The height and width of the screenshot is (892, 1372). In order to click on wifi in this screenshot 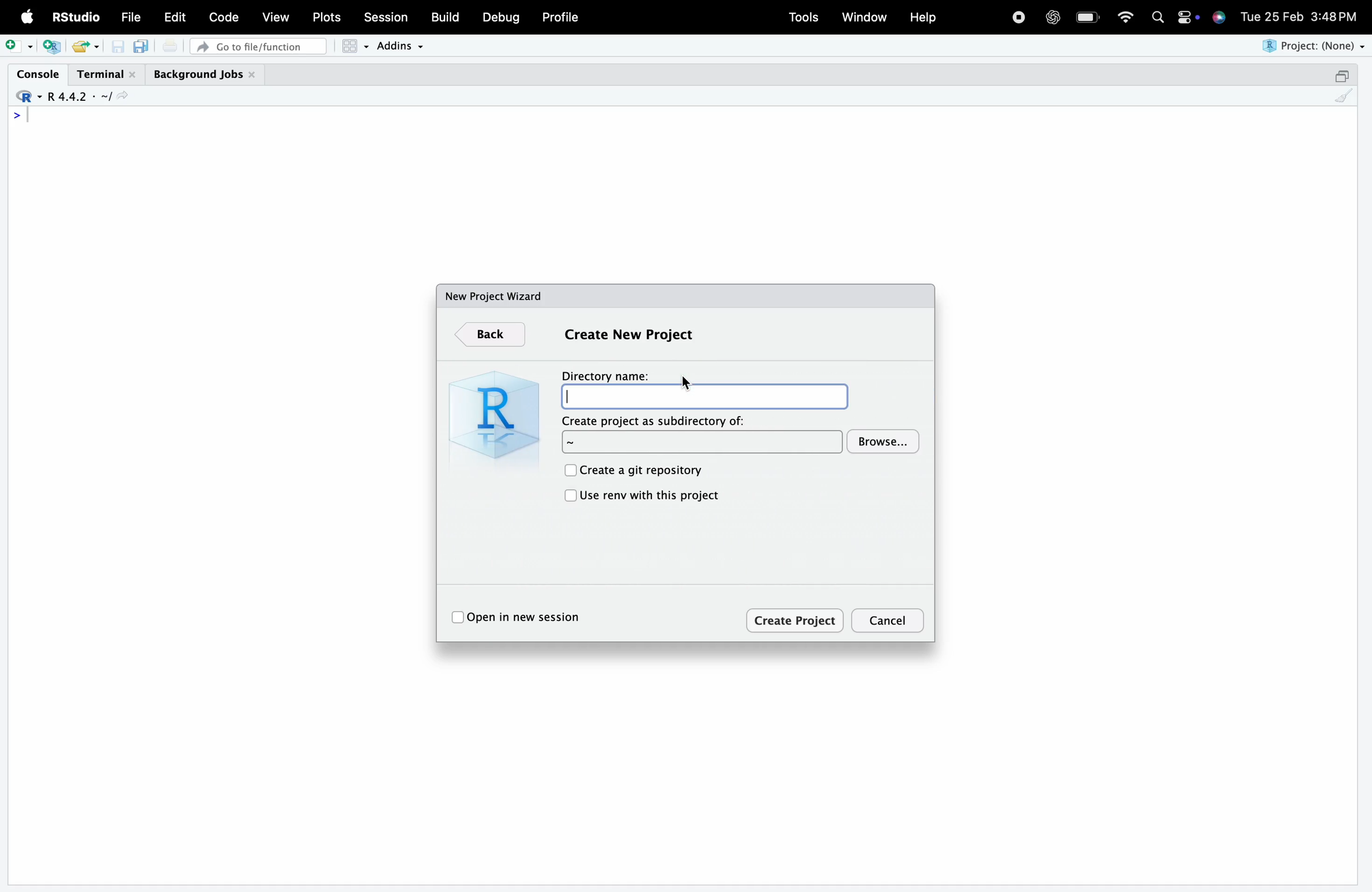, I will do `click(1125, 16)`.